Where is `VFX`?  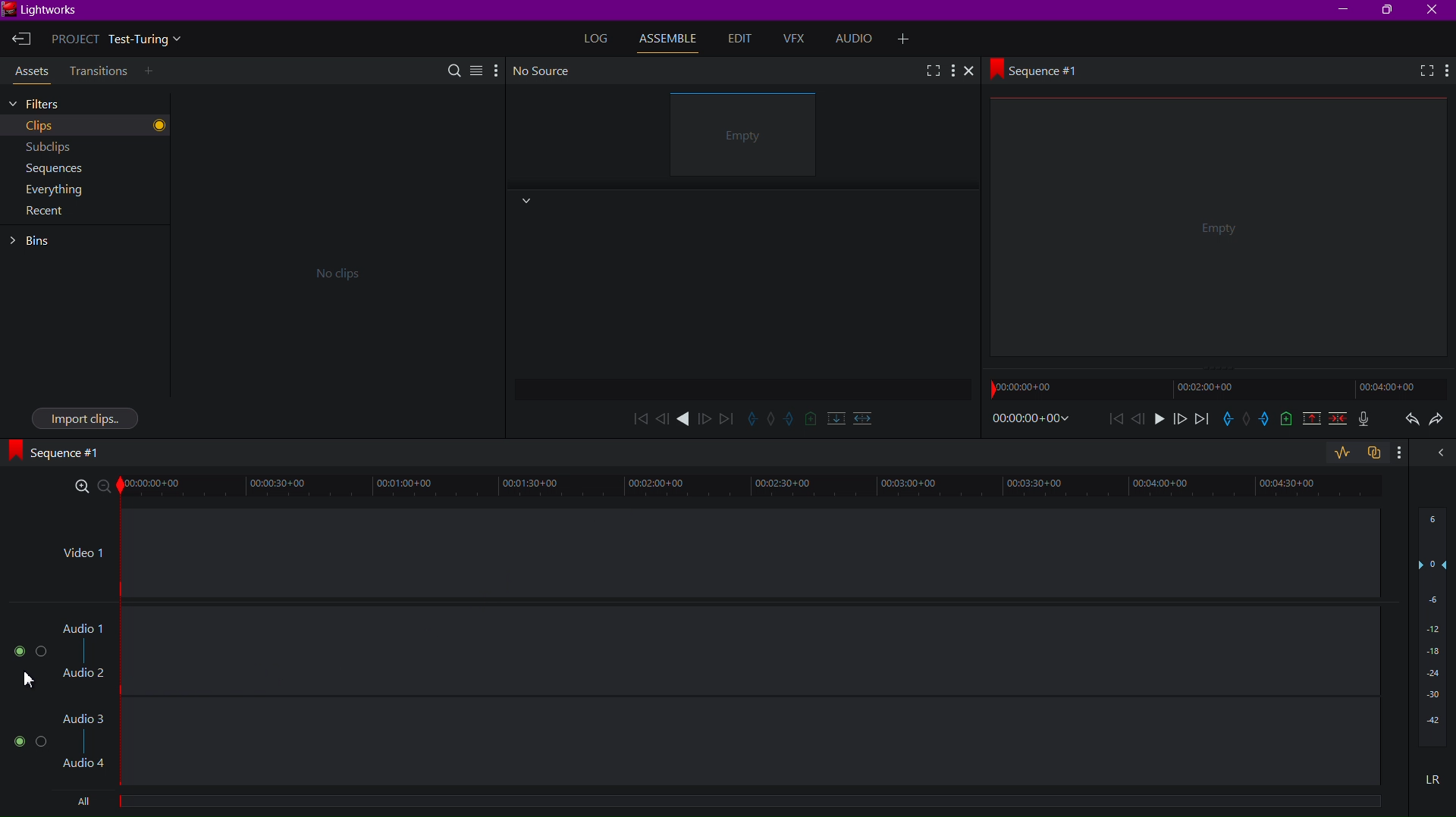
VFX is located at coordinates (798, 39).